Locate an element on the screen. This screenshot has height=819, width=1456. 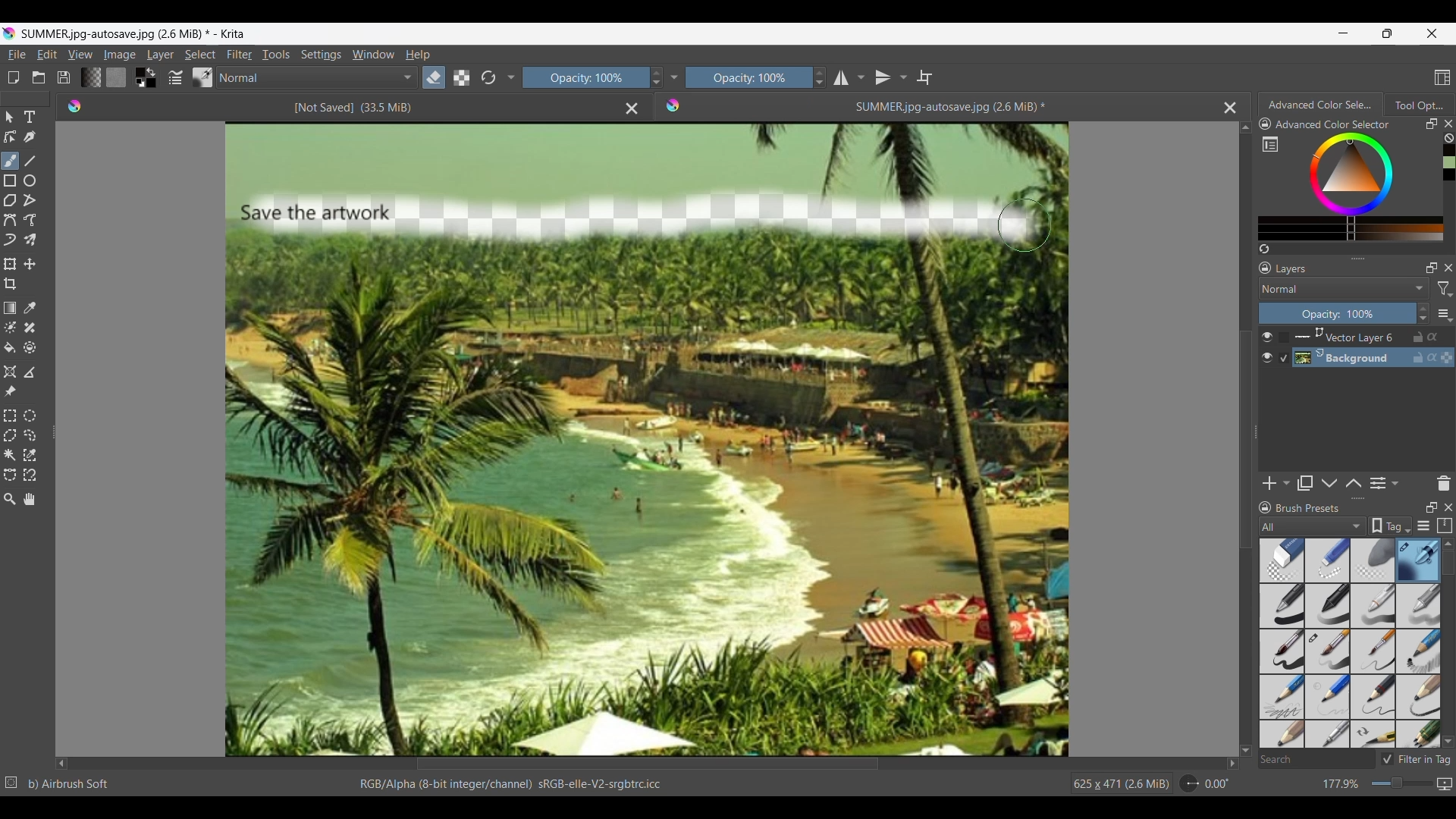
Horizontal mirror tool options is located at coordinates (849, 79).